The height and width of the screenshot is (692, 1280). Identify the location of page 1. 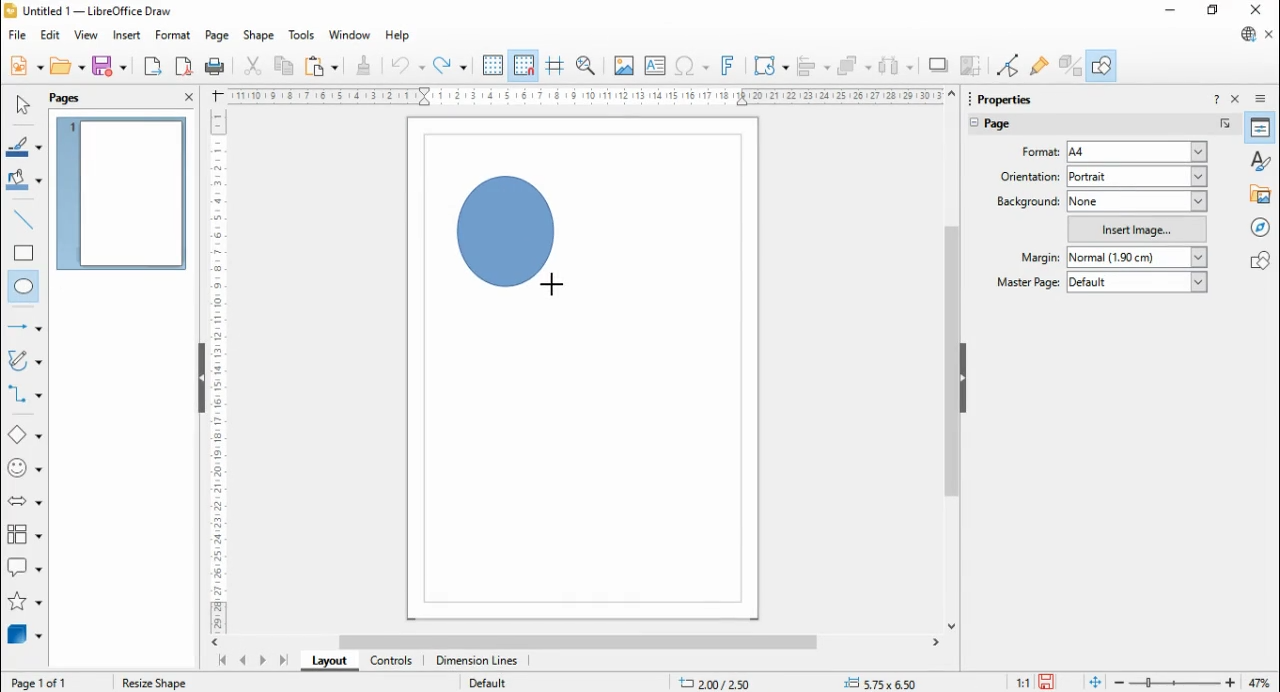
(123, 193).